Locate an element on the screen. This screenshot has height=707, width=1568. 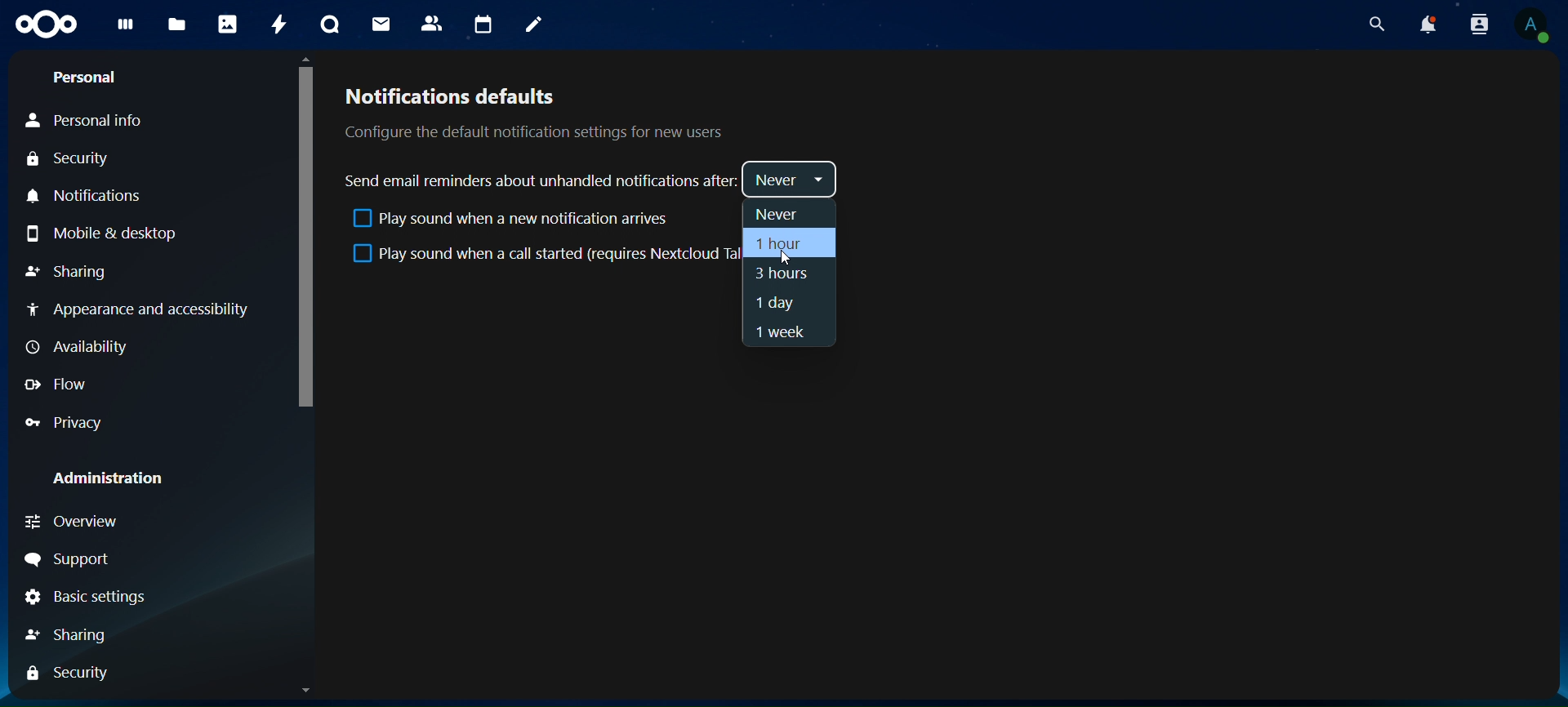
Flow is located at coordinates (56, 385).